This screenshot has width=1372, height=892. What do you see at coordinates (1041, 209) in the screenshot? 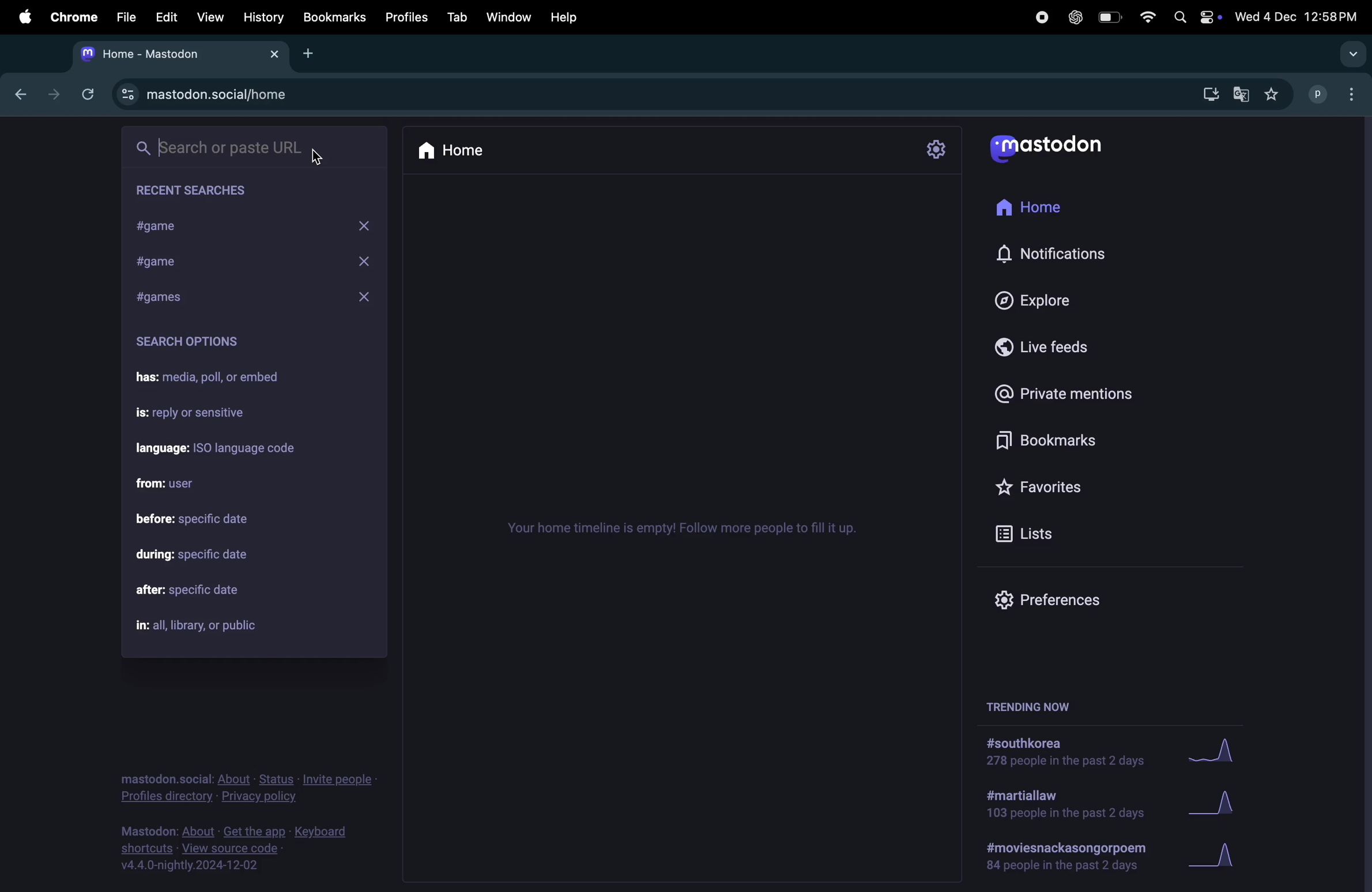
I see `Home` at bounding box center [1041, 209].